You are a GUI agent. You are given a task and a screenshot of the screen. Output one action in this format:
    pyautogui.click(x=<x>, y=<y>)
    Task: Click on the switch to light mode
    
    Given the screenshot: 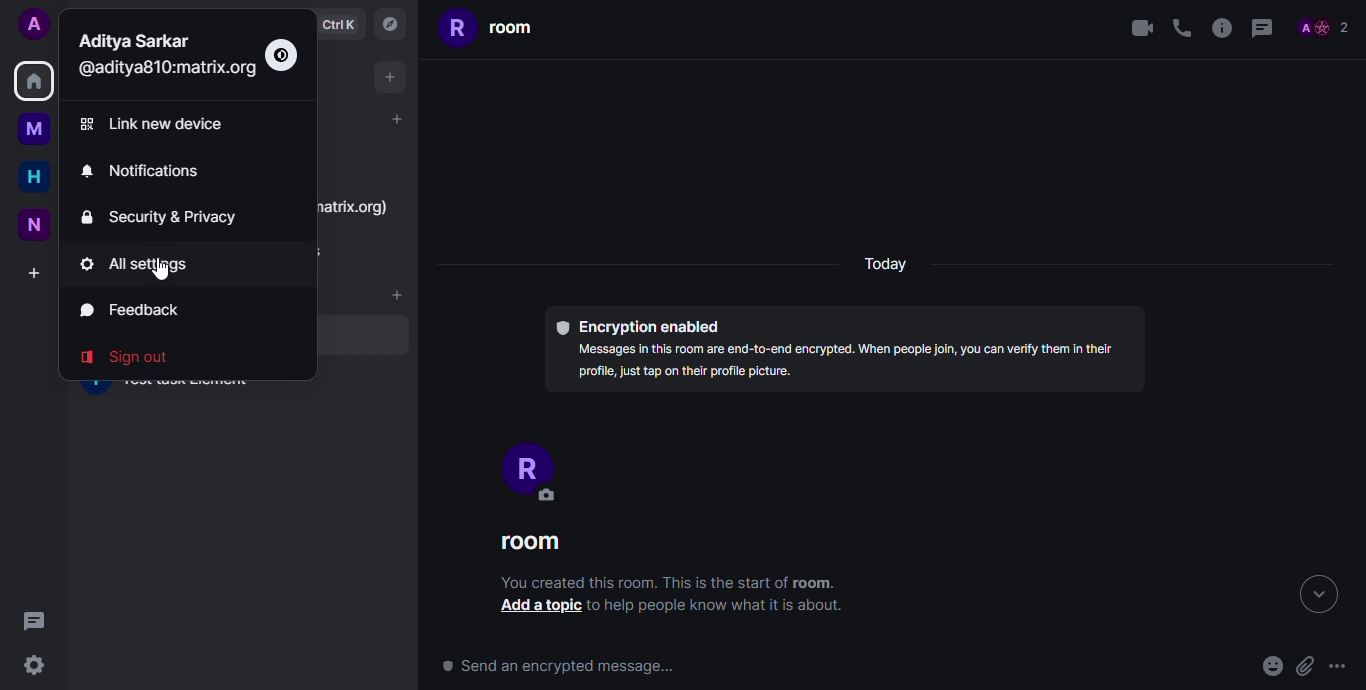 What is the action you would take?
    pyautogui.click(x=282, y=55)
    